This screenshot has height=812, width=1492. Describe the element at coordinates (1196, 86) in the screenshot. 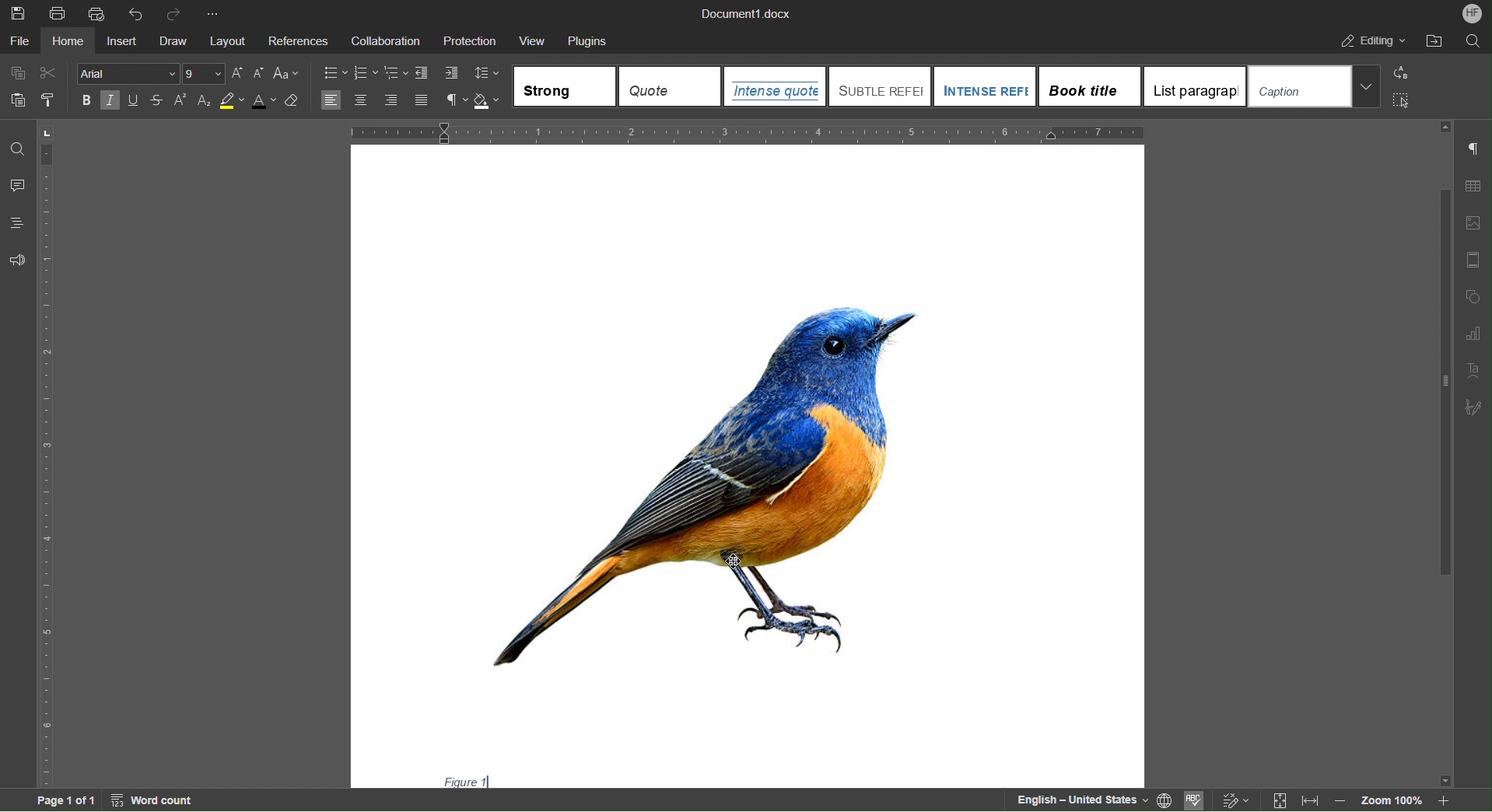

I see `Heading 5` at that location.